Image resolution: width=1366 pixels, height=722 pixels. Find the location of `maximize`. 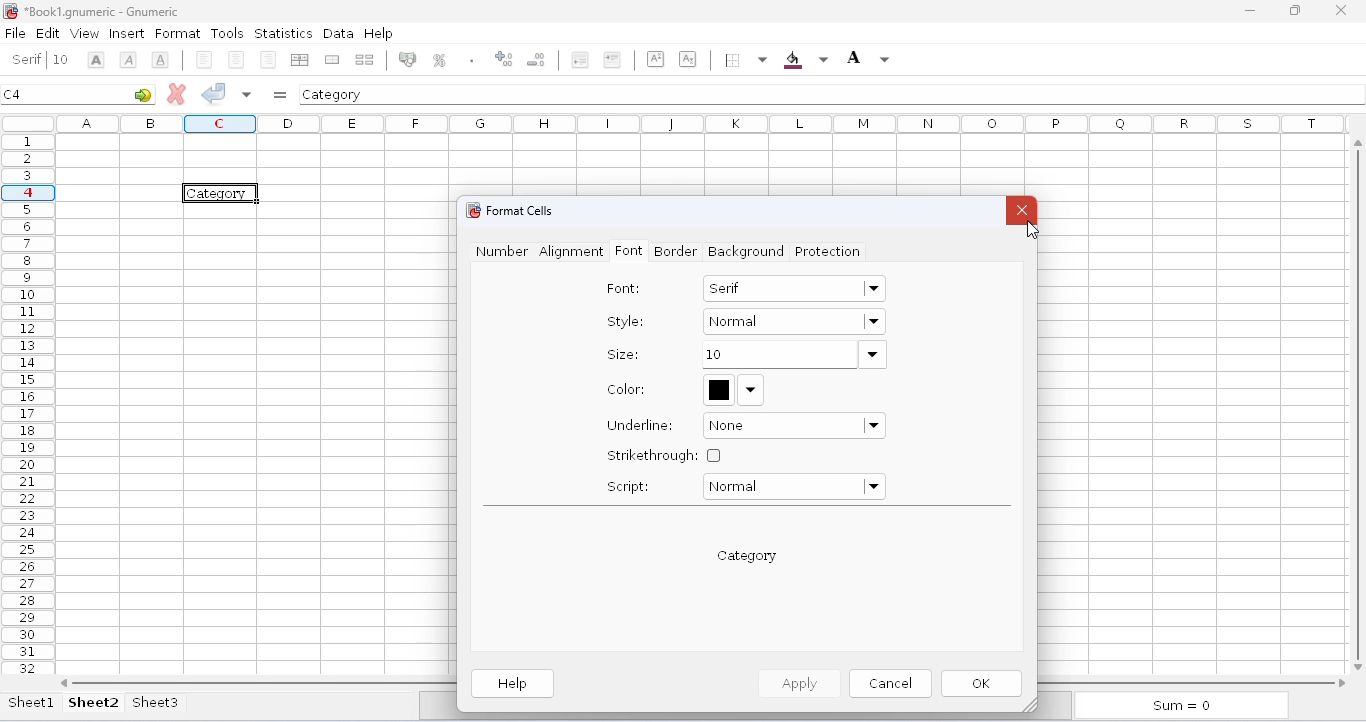

maximize is located at coordinates (1295, 11).